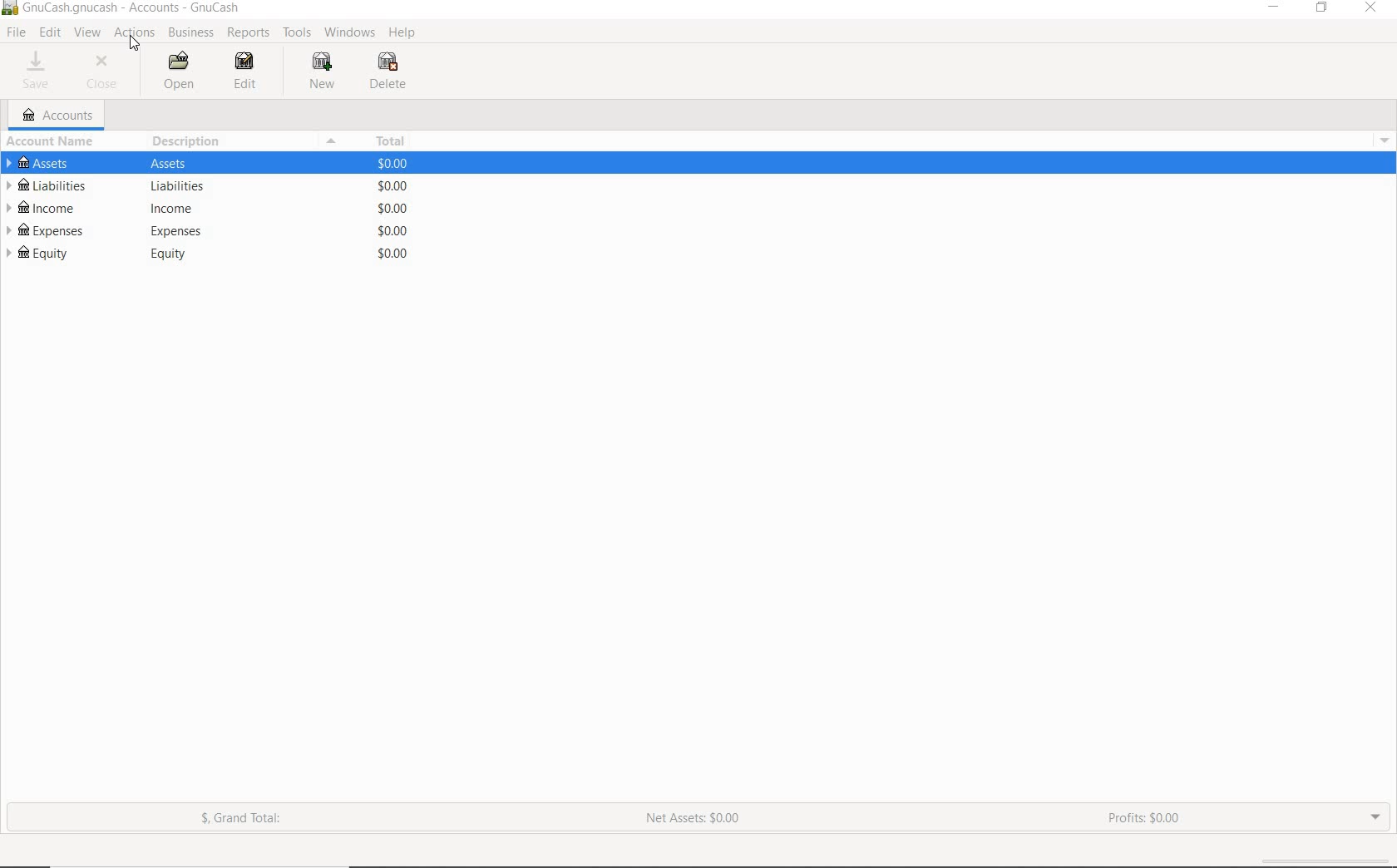 Image resolution: width=1397 pixels, height=868 pixels. What do you see at coordinates (51, 33) in the screenshot?
I see `EDIT` at bounding box center [51, 33].